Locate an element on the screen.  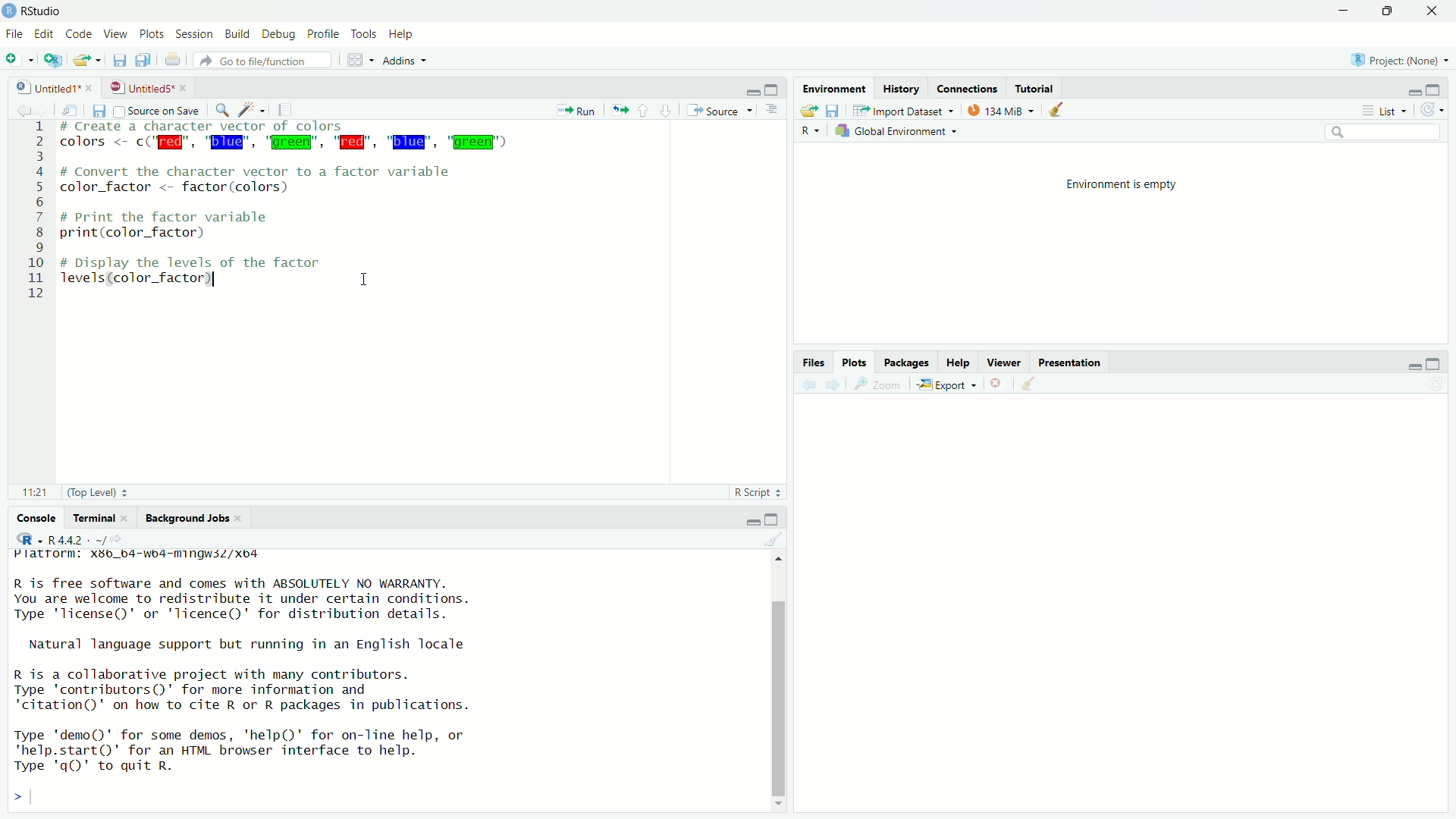
clear console is located at coordinates (773, 539).